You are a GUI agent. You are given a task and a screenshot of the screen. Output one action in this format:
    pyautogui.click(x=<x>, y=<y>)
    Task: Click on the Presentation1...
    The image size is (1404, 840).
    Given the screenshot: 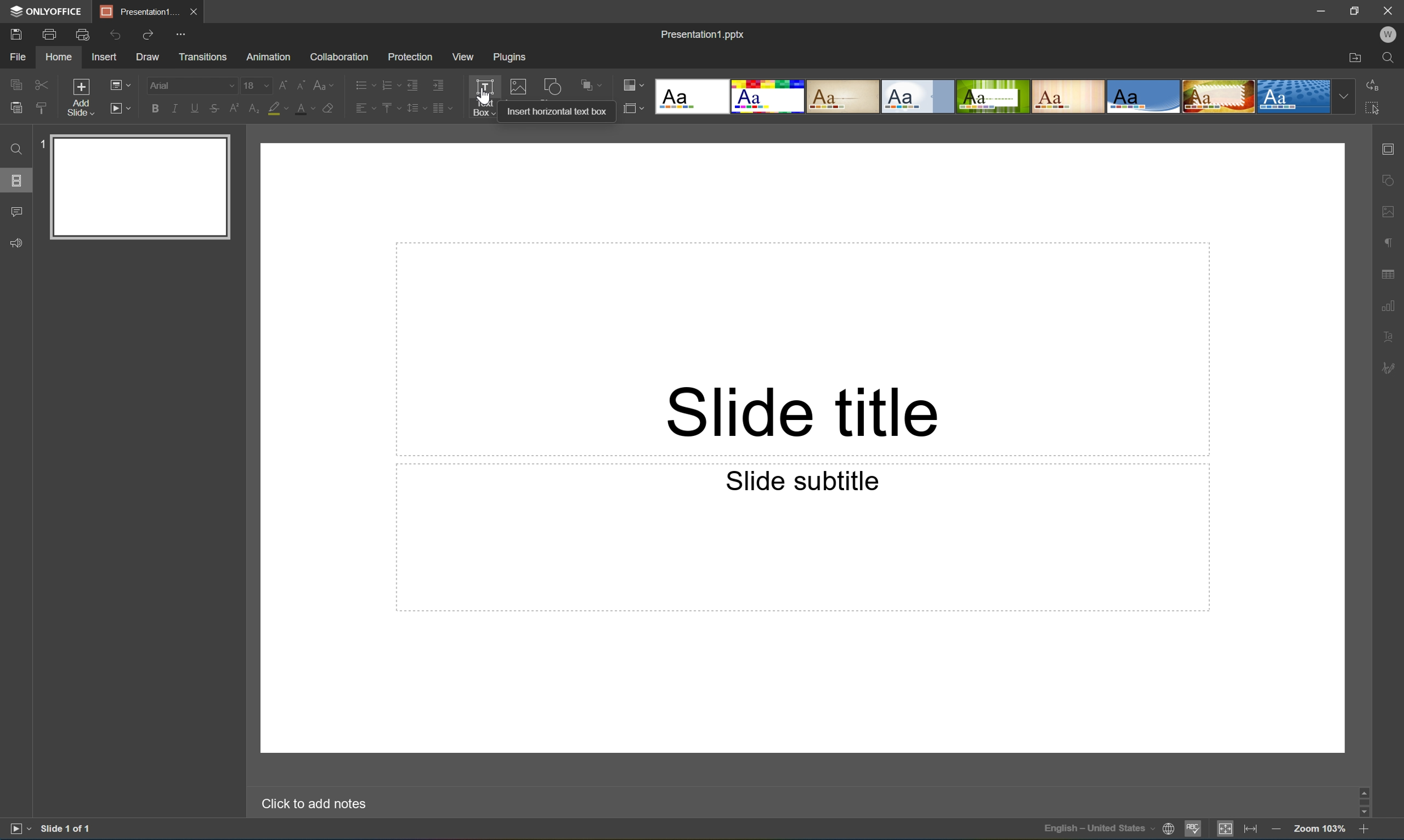 What is the action you would take?
    pyautogui.click(x=136, y=11)
    